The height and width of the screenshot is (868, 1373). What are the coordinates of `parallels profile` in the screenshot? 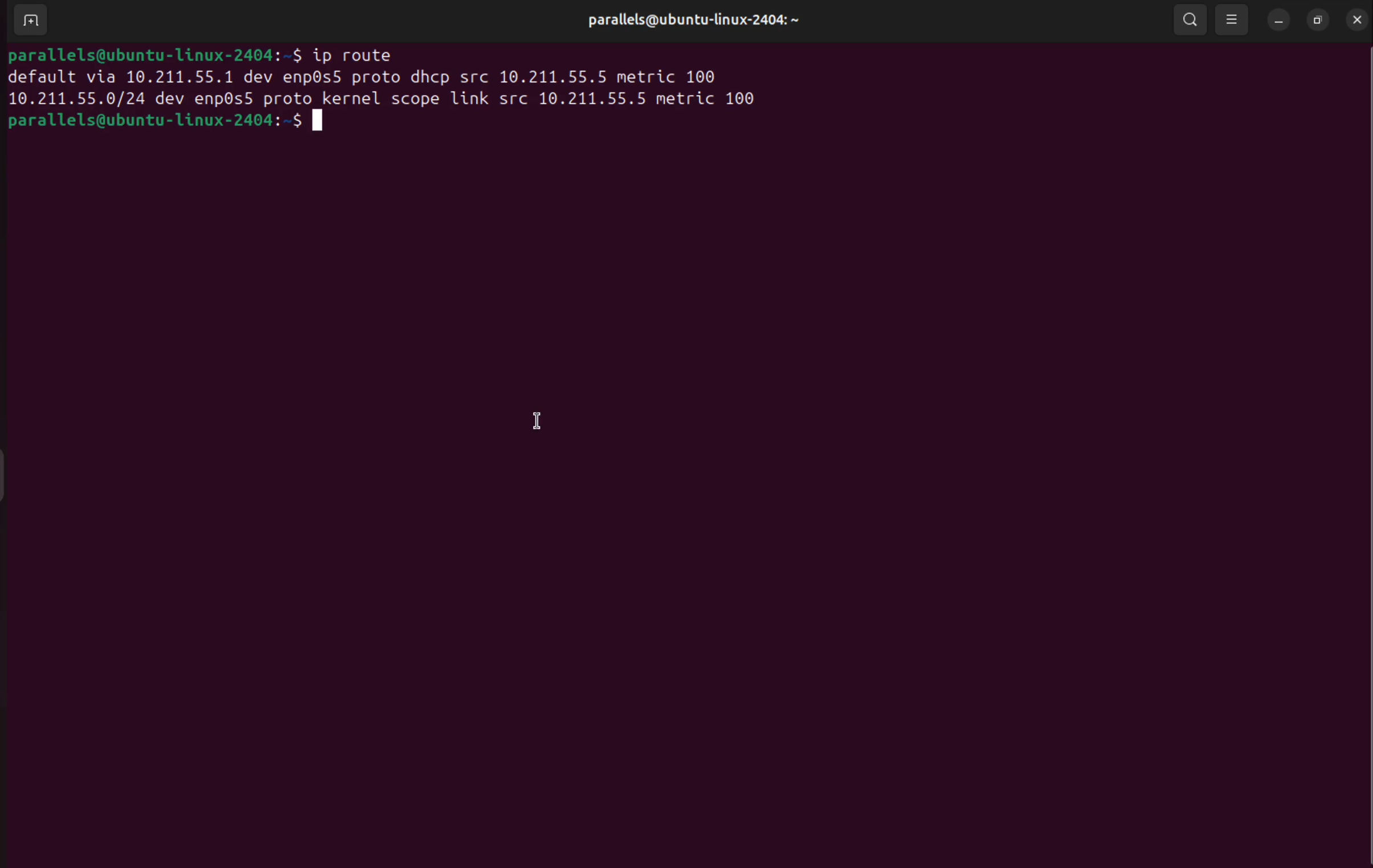 It's located at (689, 22).